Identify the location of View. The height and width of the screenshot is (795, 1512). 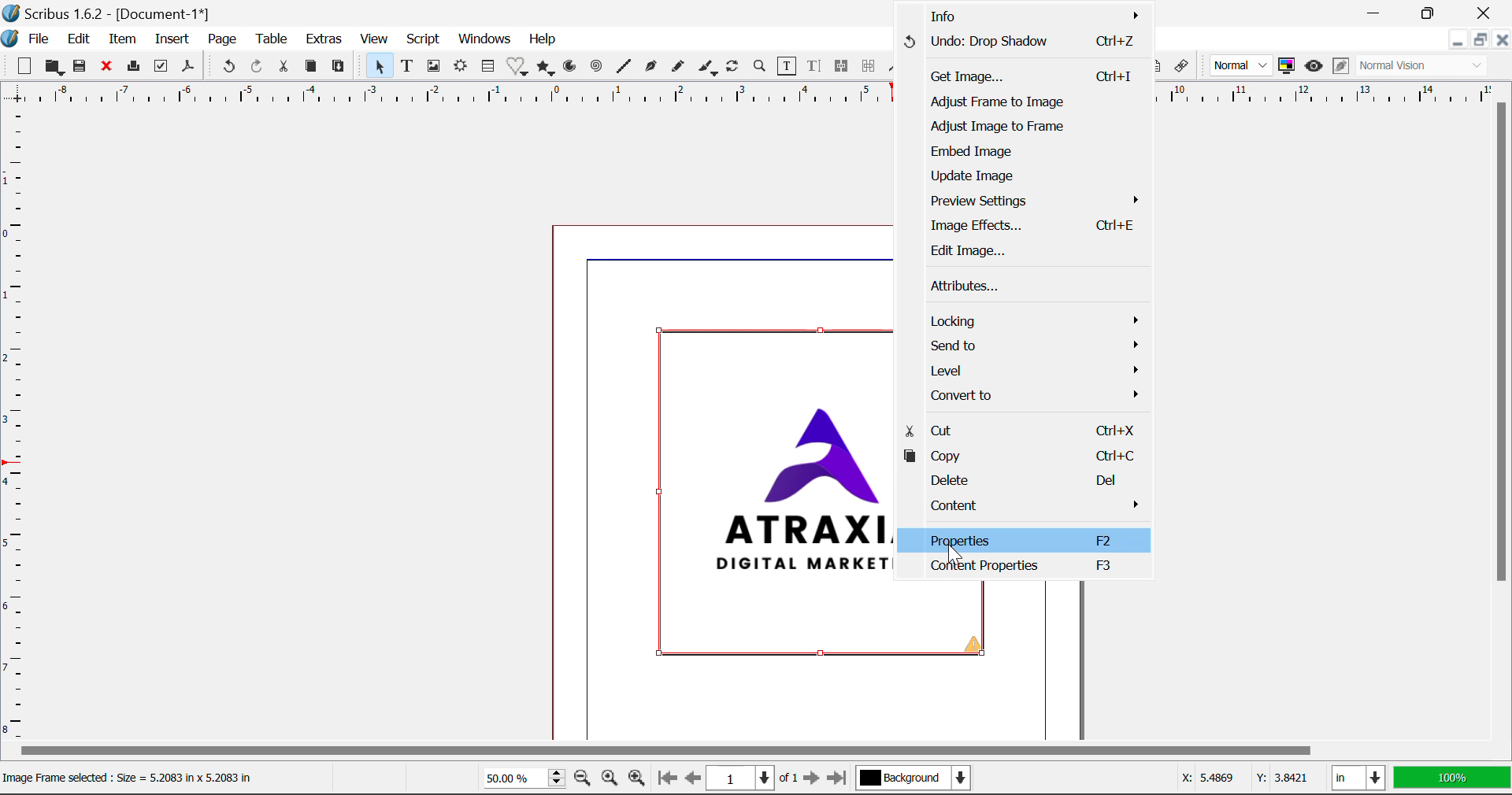
(376, 40).